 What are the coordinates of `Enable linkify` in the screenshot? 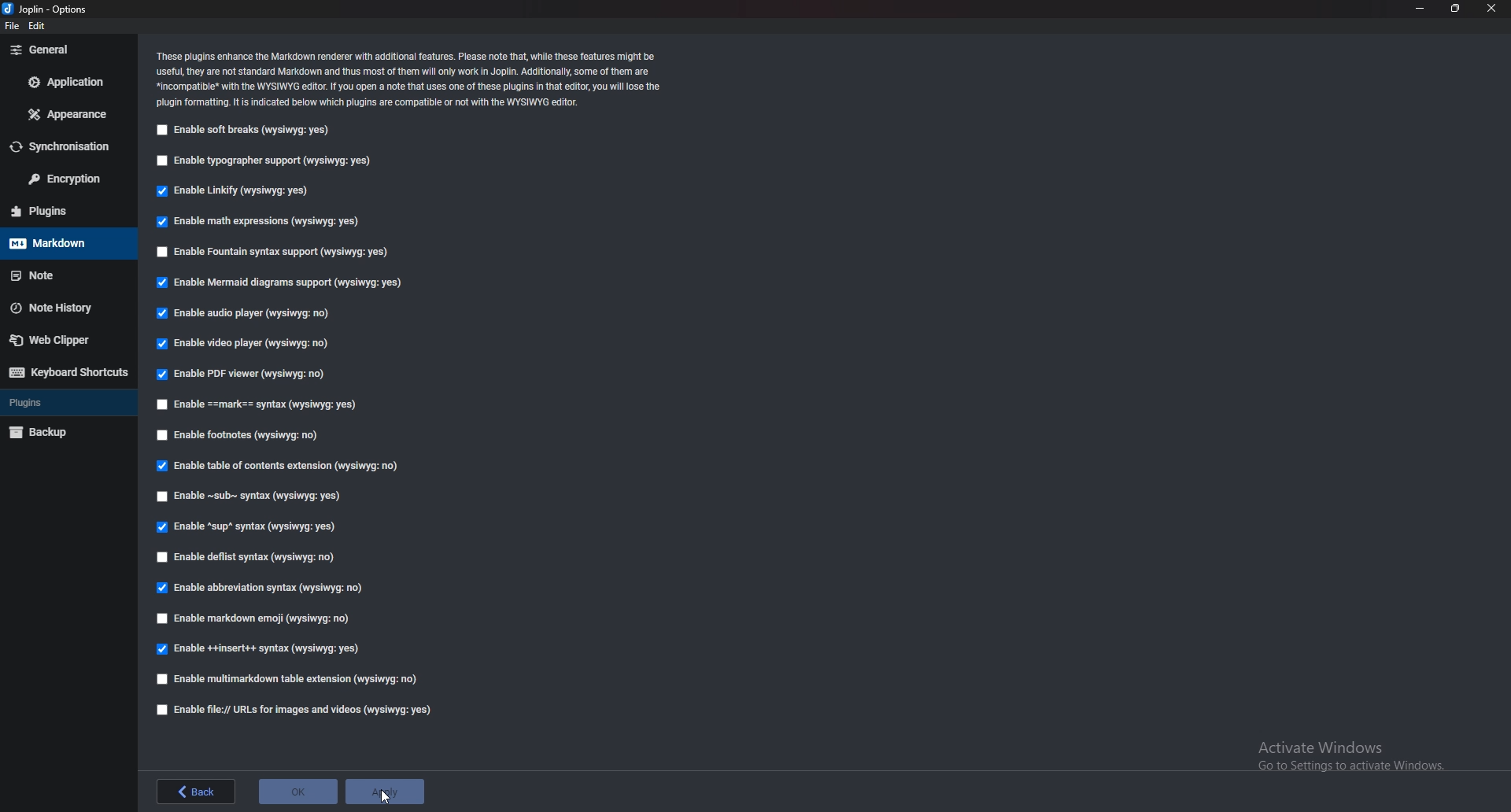 It's located at (238, 191).